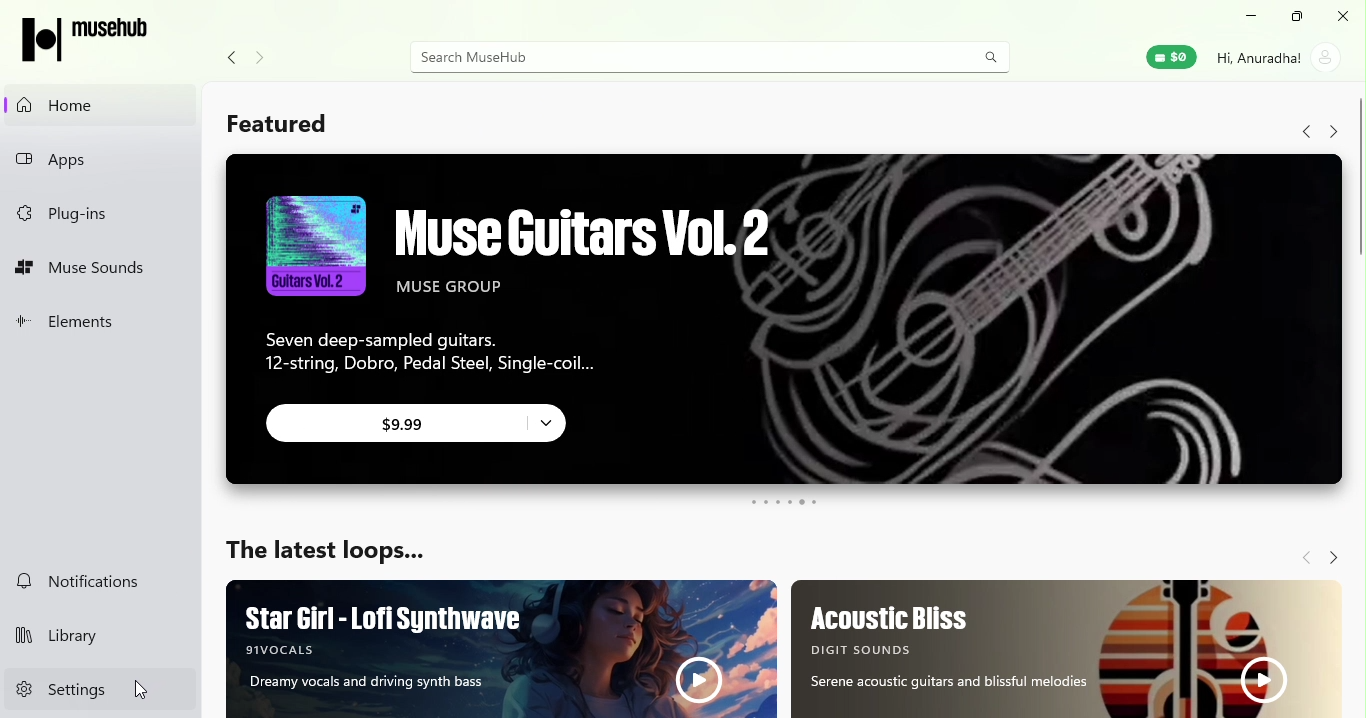 The width and height of the screenshot is (1366, 718). What do you see at coordinates (1295, 17) in the screenshot?
I see `Maximize` at bounding box center [1295, 17].